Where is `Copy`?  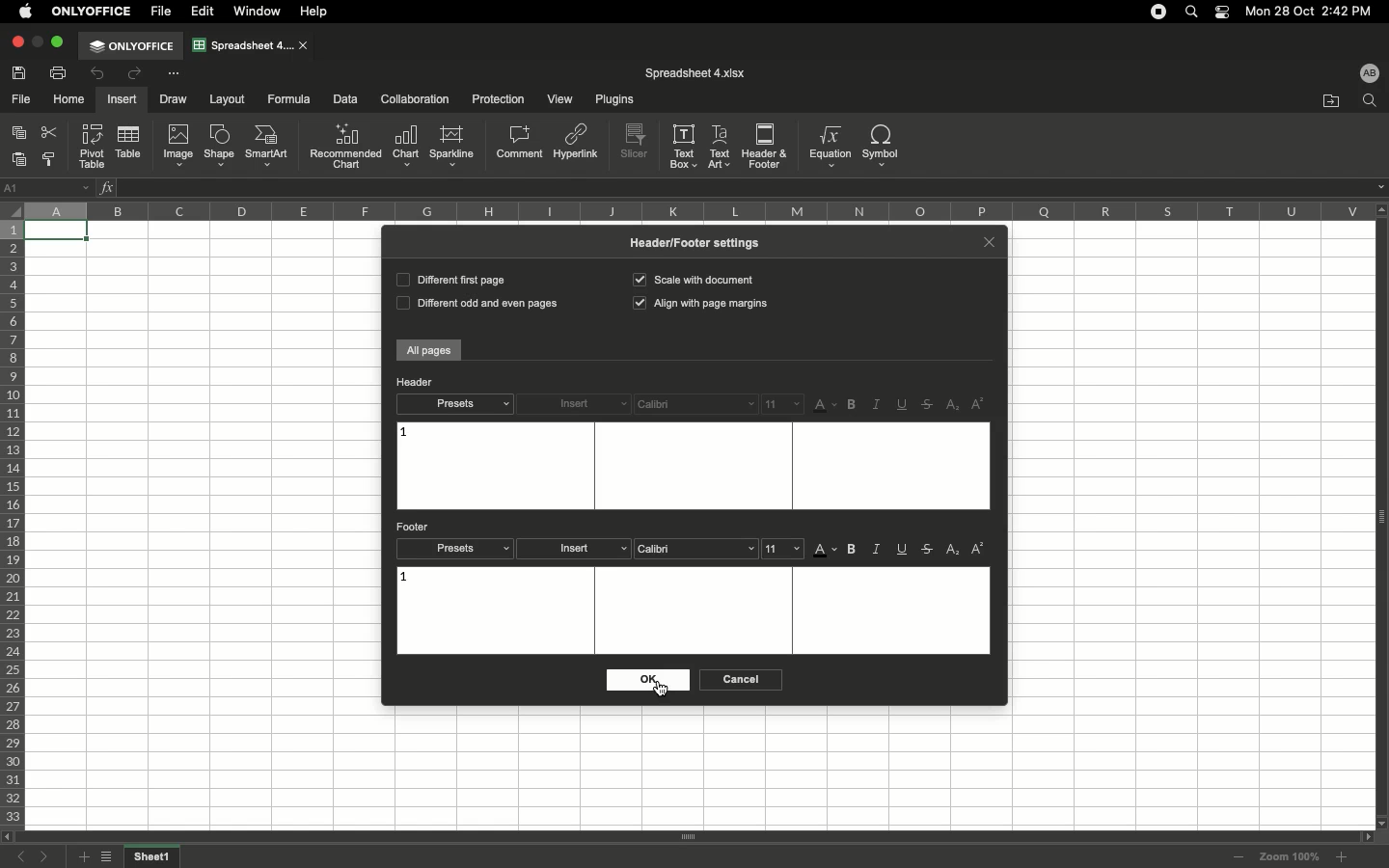
Copy is located at coordinates (21, 134).